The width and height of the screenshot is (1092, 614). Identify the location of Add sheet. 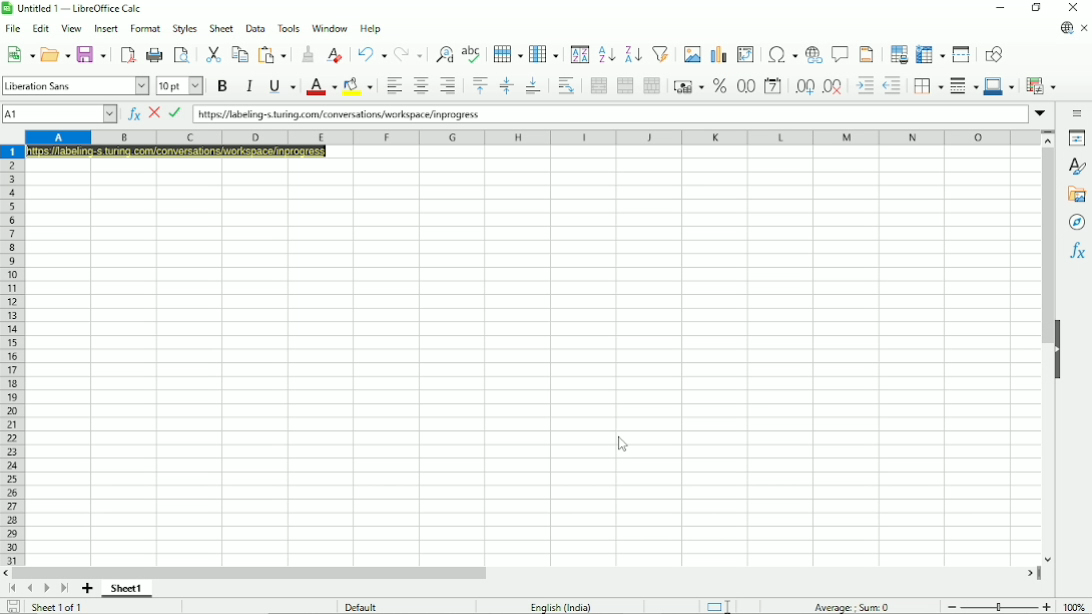
(86, 589).